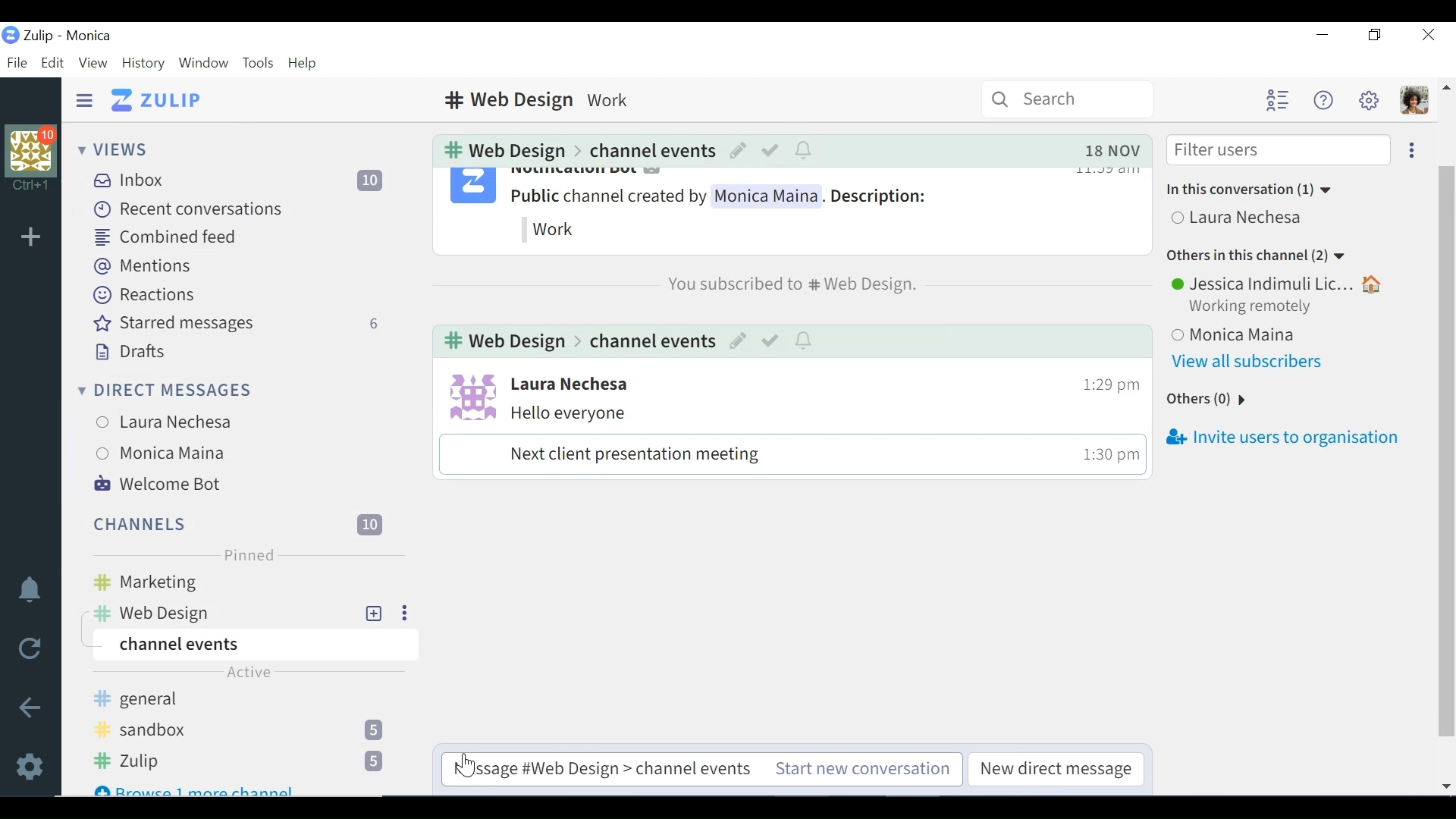 The height and width of the screenshot is (819, 1456). What do you see at coordinates (249, 676) in the screenshot?
I see `Active label` at bounding box center [249, 676].